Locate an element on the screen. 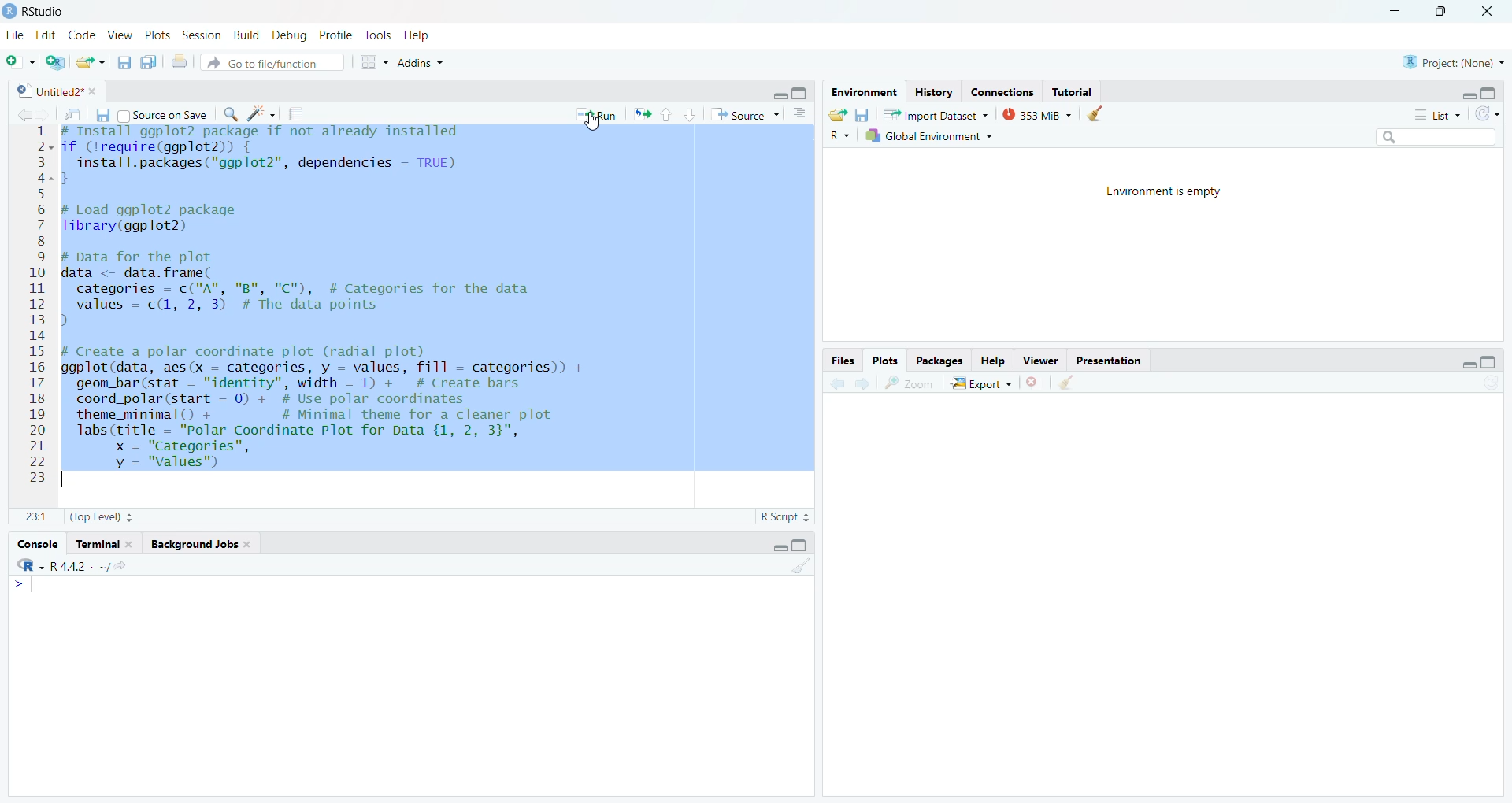  minimize is located at coordinates (1393, 9).